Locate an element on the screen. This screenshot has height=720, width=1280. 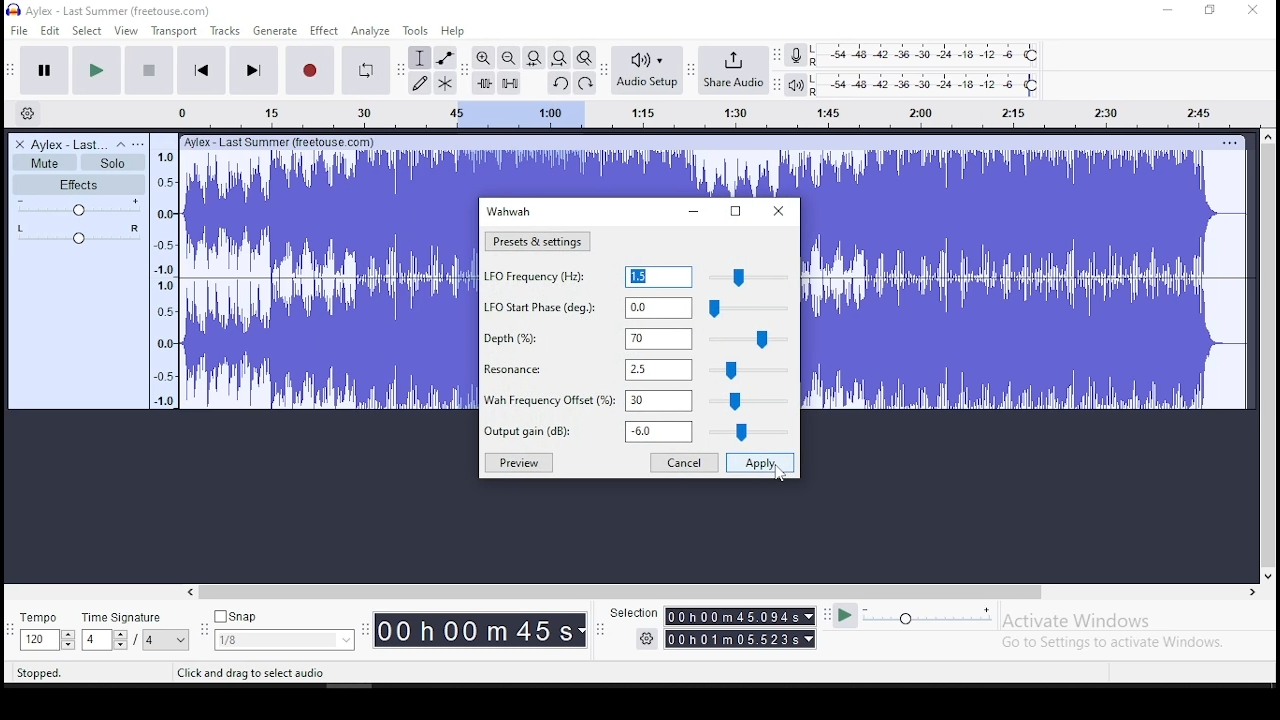
icon and file name is located at coordinates (110, 10).